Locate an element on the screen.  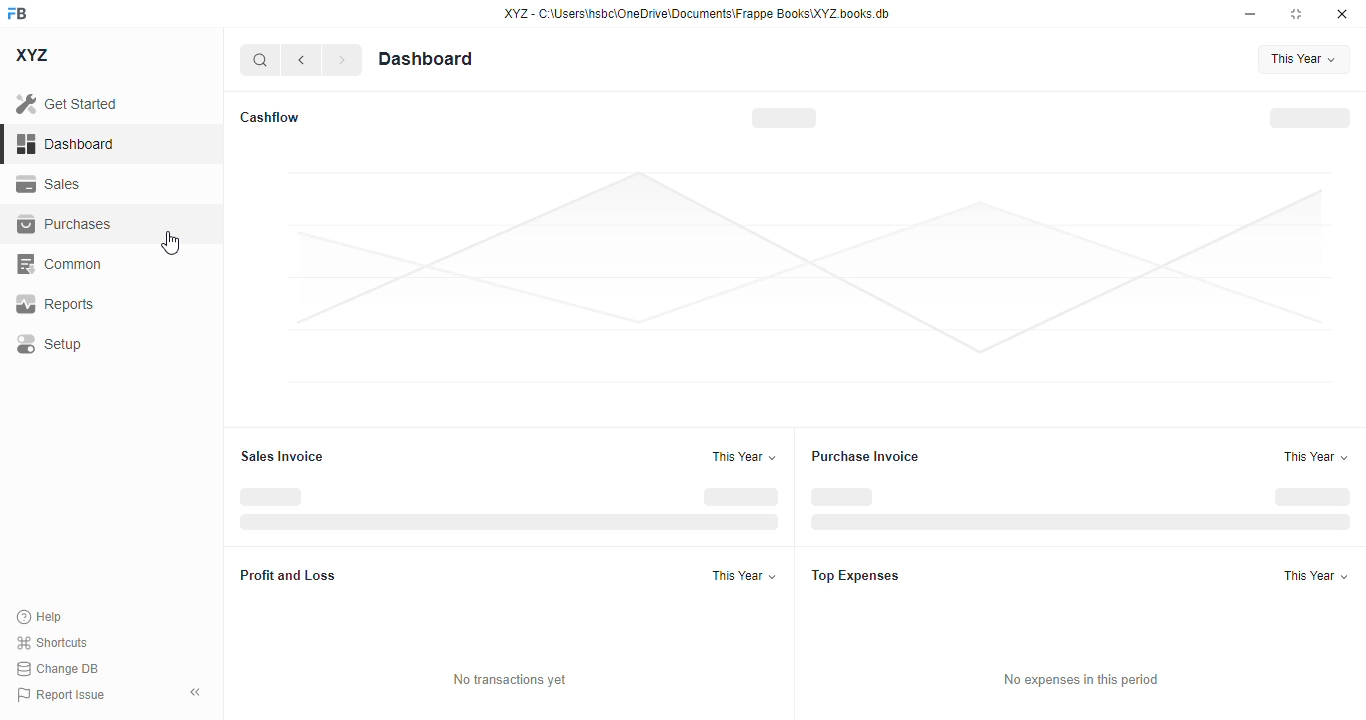
search is located at coordinates (261, 60).